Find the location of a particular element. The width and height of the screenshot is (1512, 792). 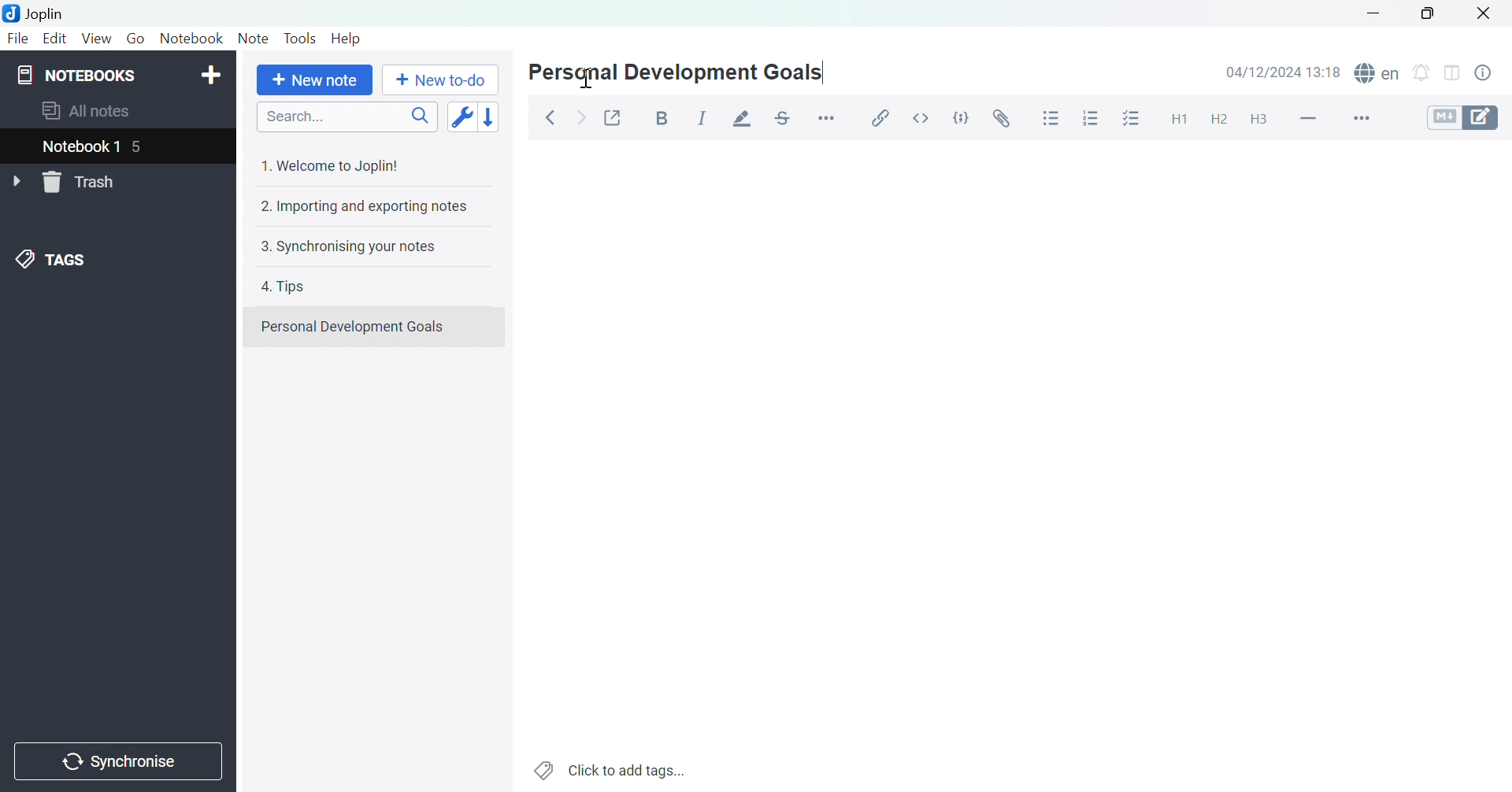

Search is located at coordinates (346, 116).